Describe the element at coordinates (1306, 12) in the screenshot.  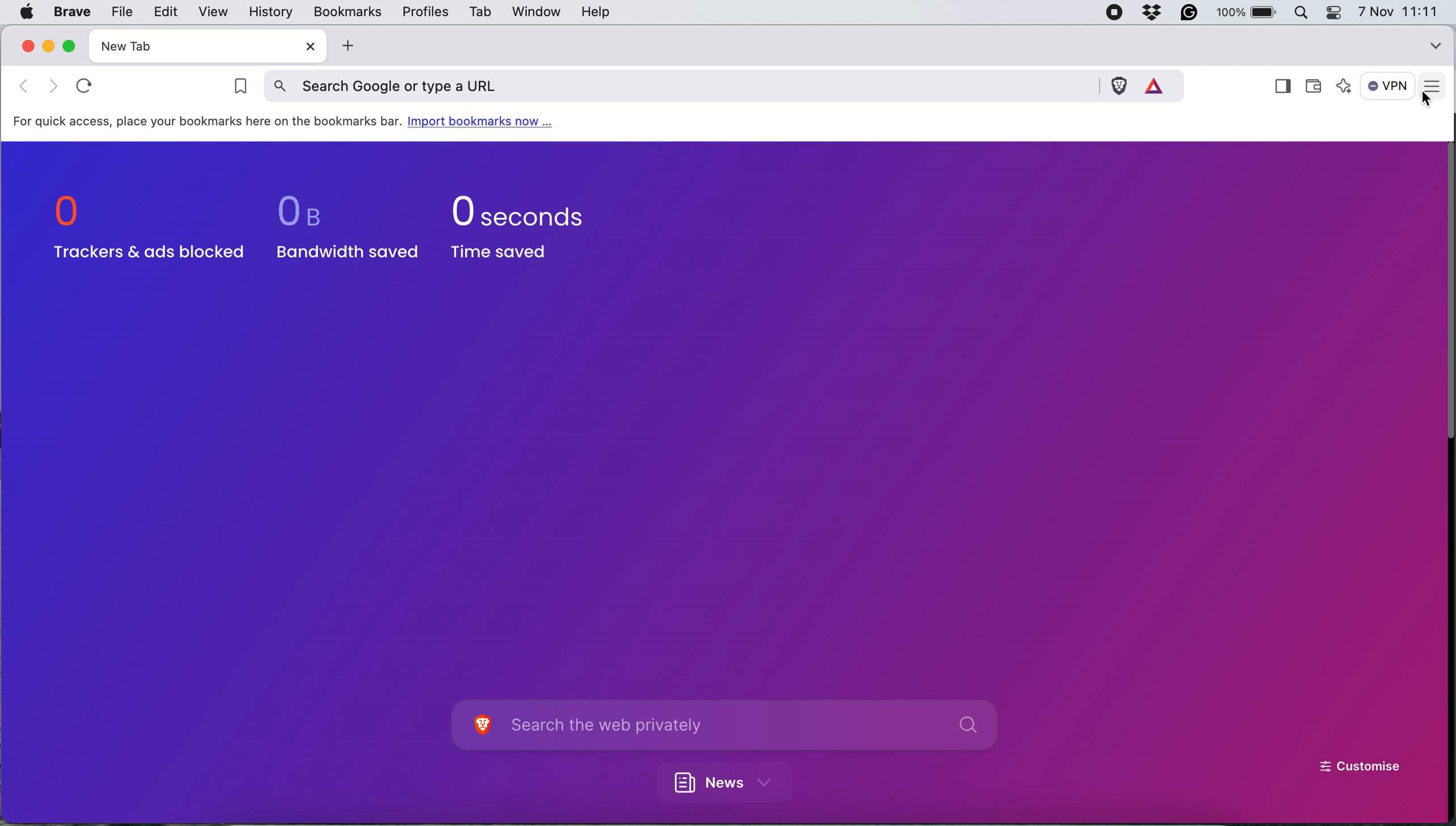
I see `spotlight search` at that location.